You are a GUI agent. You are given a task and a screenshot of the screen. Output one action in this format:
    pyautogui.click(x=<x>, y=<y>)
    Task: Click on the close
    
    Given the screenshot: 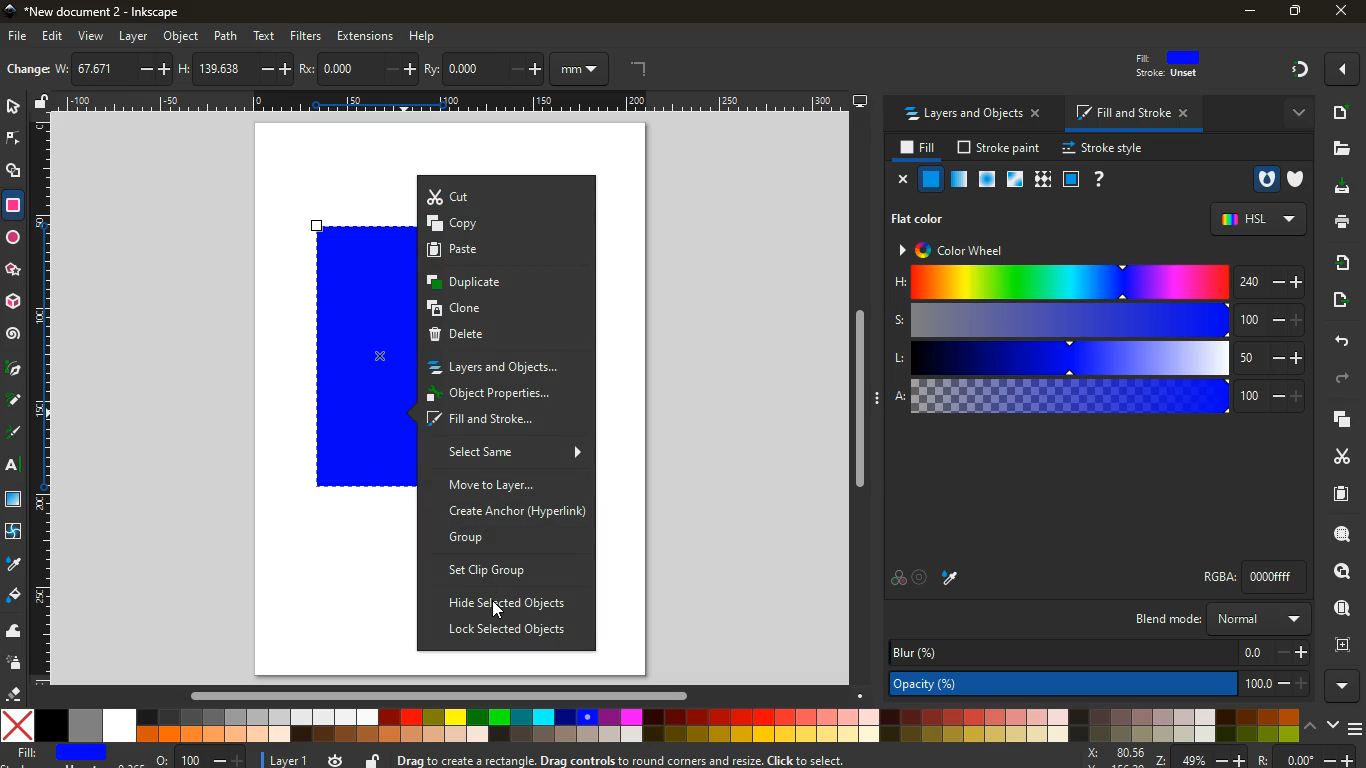 What is the action you would take?
    pyautogui.click(x=905, y=181)
    